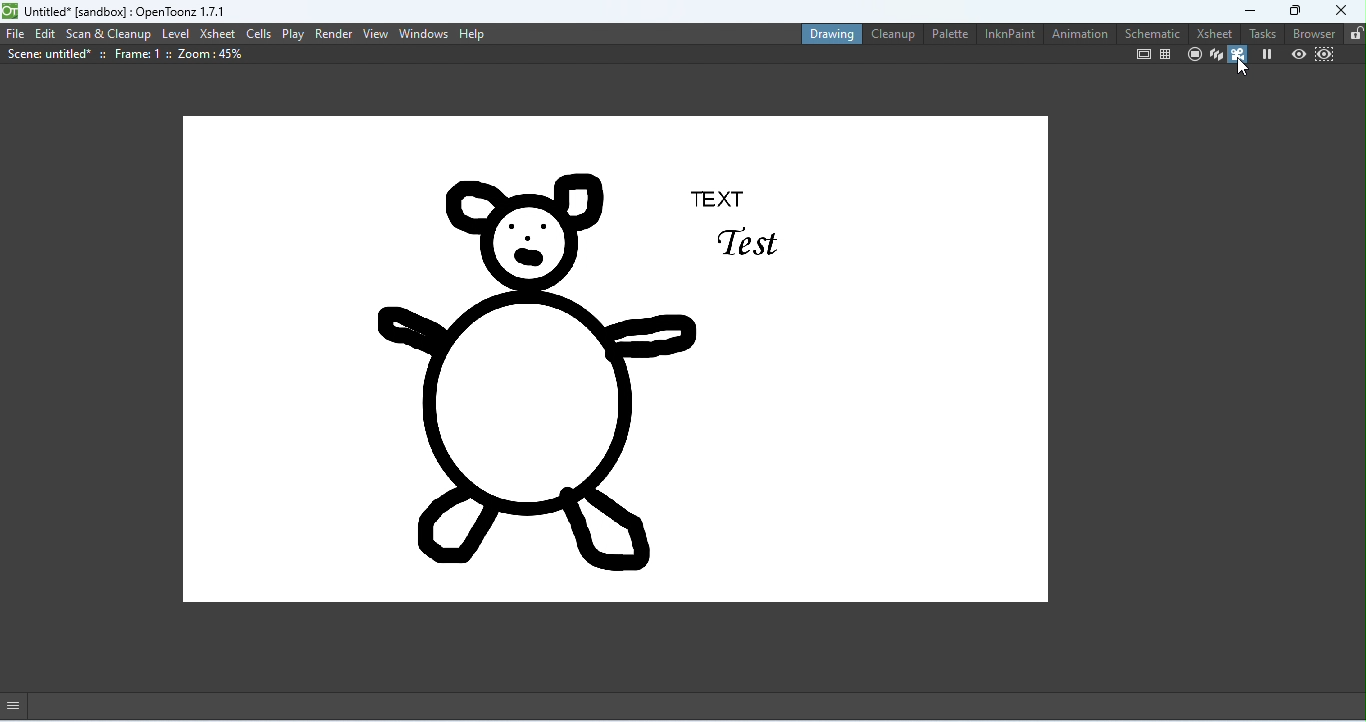  I want to click on safe area, so click(1142, 55).